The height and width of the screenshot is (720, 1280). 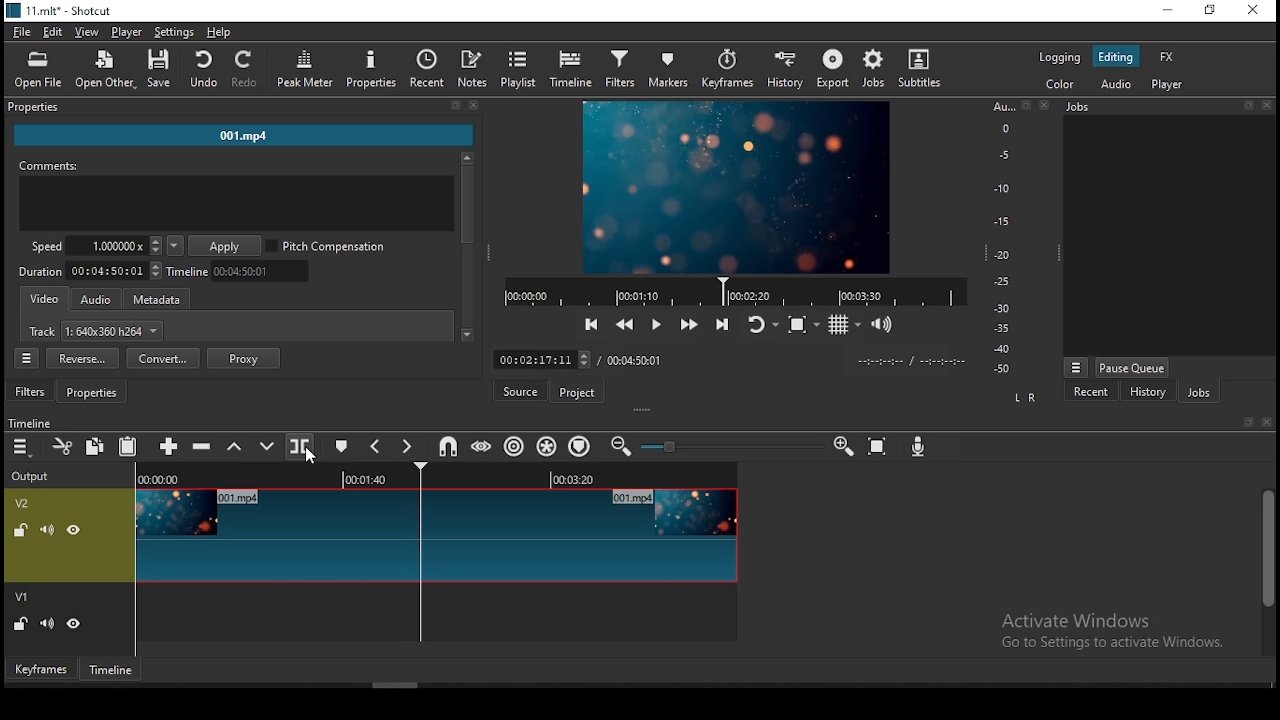 What do you see at coordinates (570, 70) in the screenshot?
I see `timeline` at bounding box center [570, 70].